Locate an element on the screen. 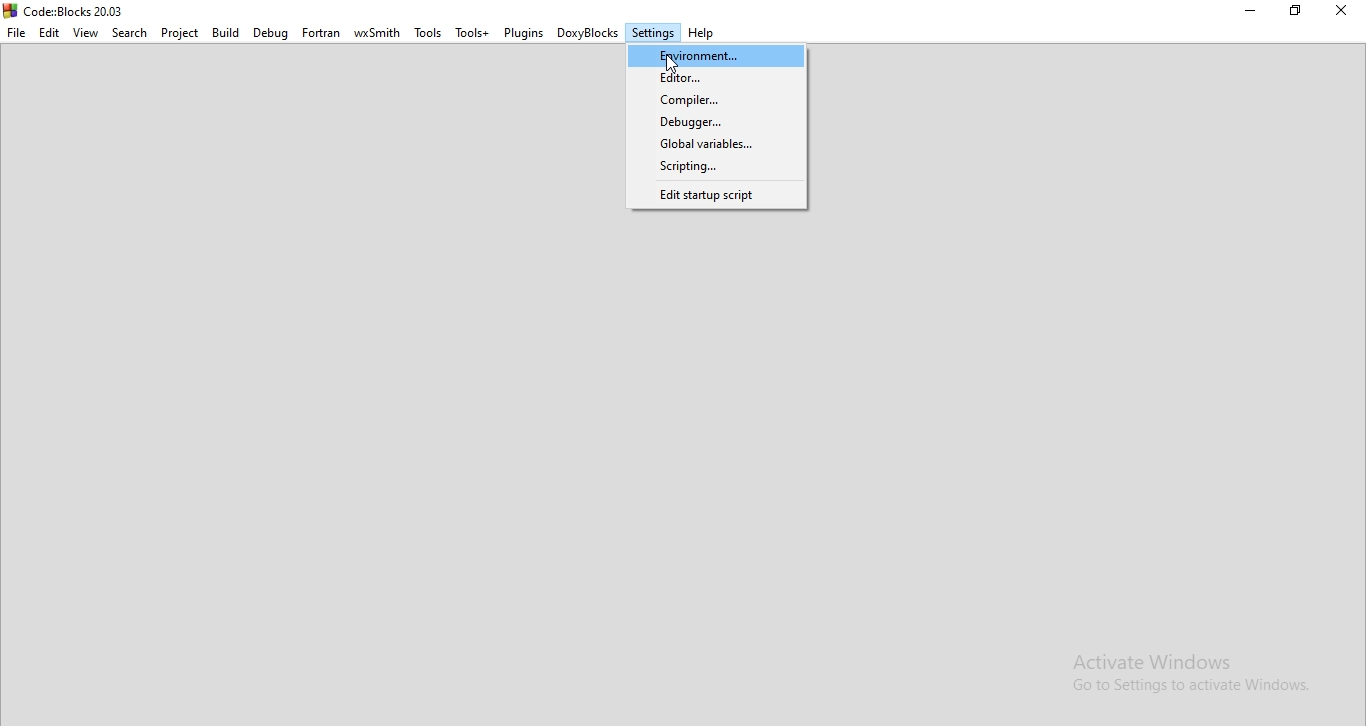 The height and width of the screenshot is (726, 1366). highlighted is located at coordinates (653, 32).